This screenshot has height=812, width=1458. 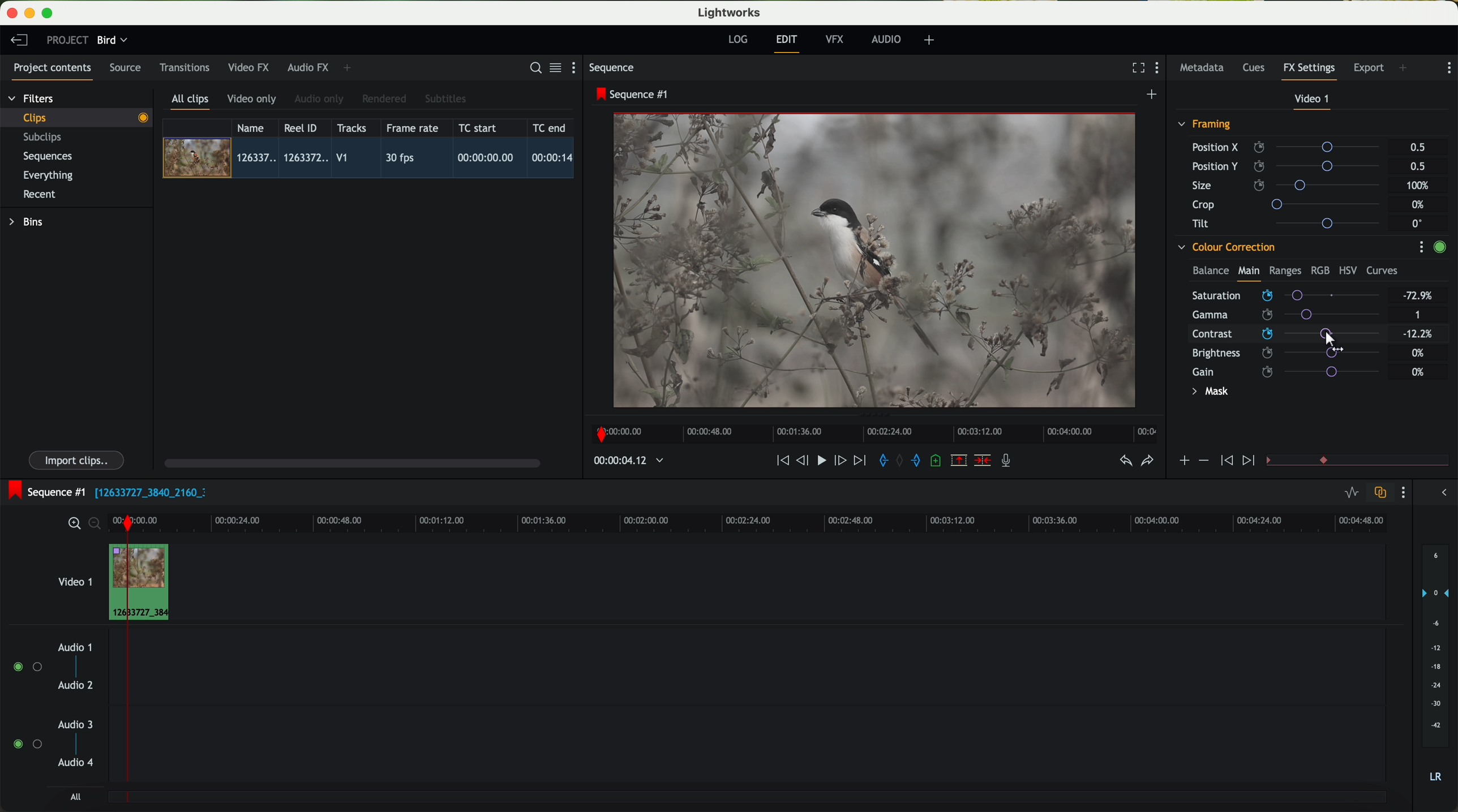 I want to click on timeline, so click(x=784, y=522).